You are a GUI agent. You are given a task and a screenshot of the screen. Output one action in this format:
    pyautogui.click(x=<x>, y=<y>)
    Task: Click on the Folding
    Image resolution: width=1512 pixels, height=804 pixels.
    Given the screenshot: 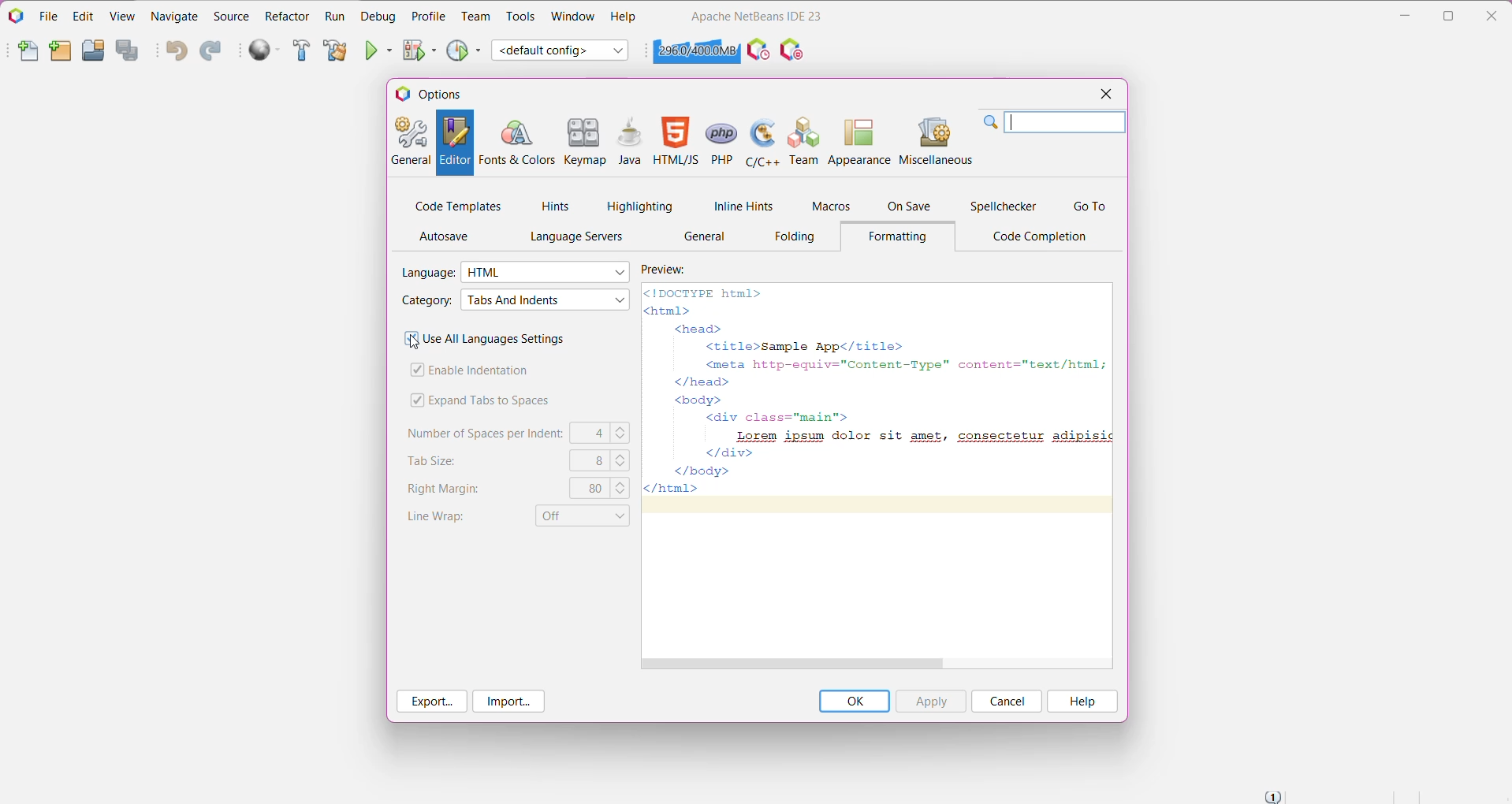 What is the action you would take?
    pyautogui.click(x=796, y=236)
    